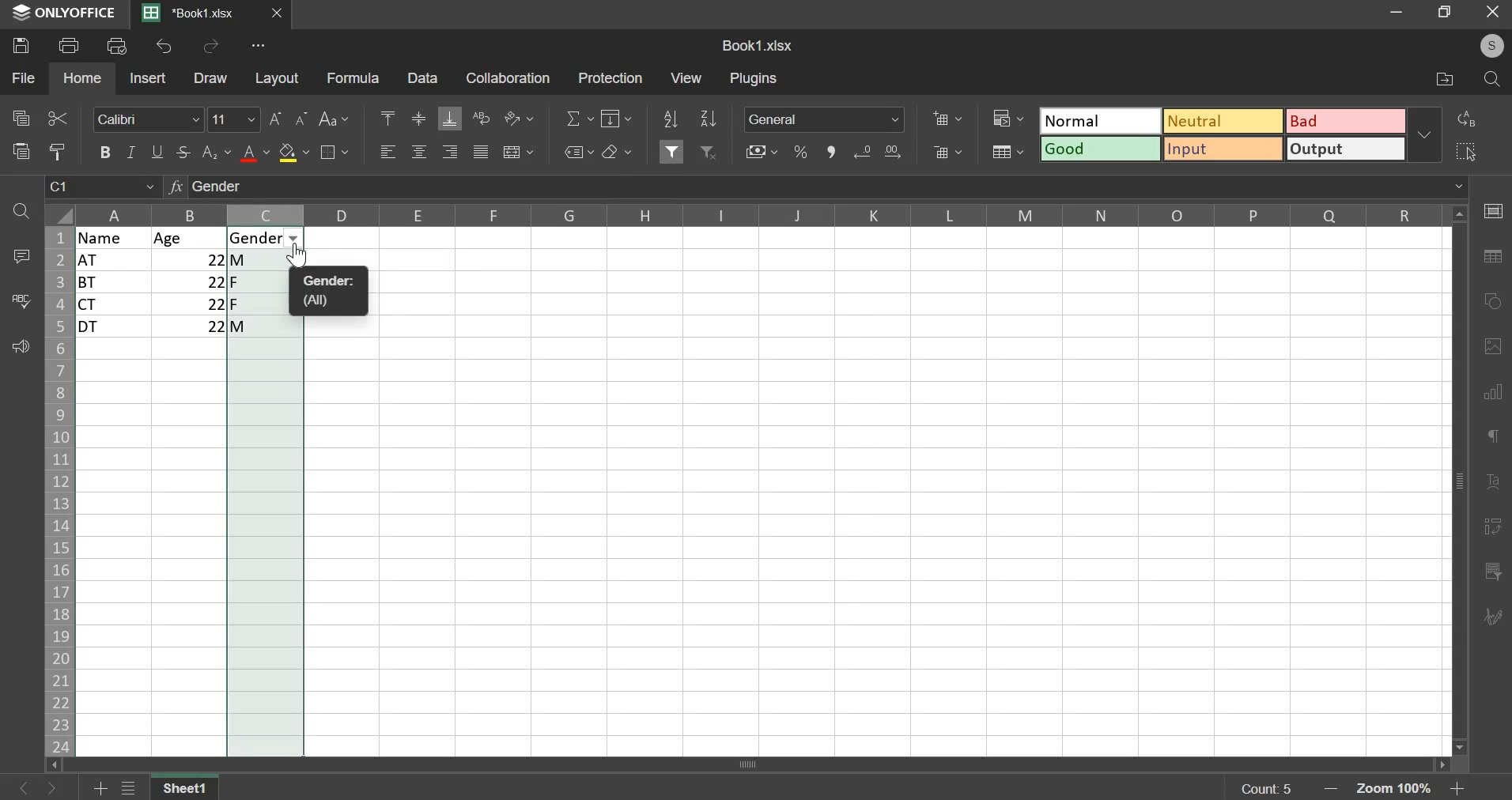 This screenshot has height=800, width=1512. Describe the element at coordinates (104, 150) in the screenshot. I see `bold` at that location.